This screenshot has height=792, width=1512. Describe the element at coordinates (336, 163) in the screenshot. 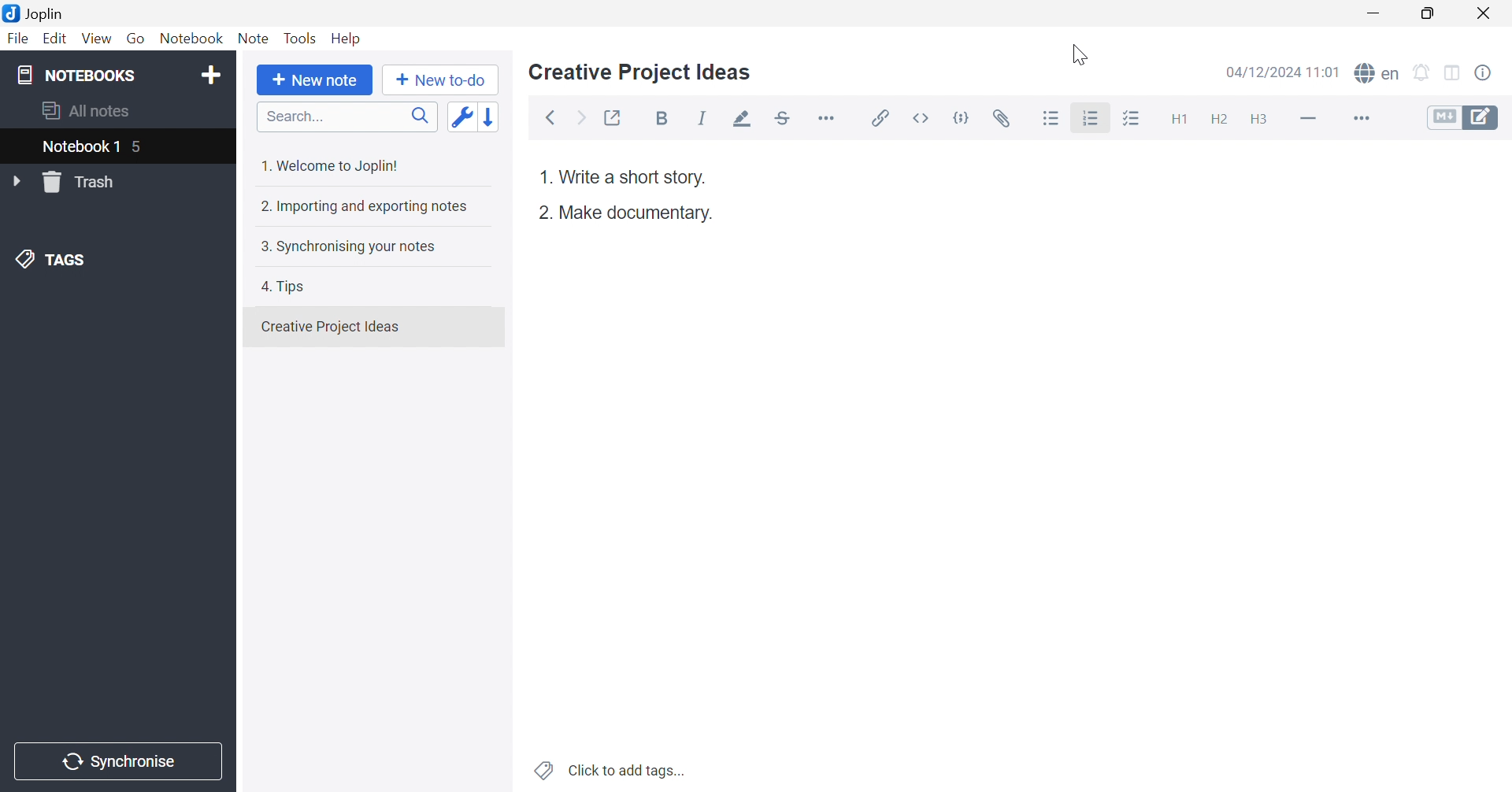

I see `1. Welcome to Joplin!` at that location.